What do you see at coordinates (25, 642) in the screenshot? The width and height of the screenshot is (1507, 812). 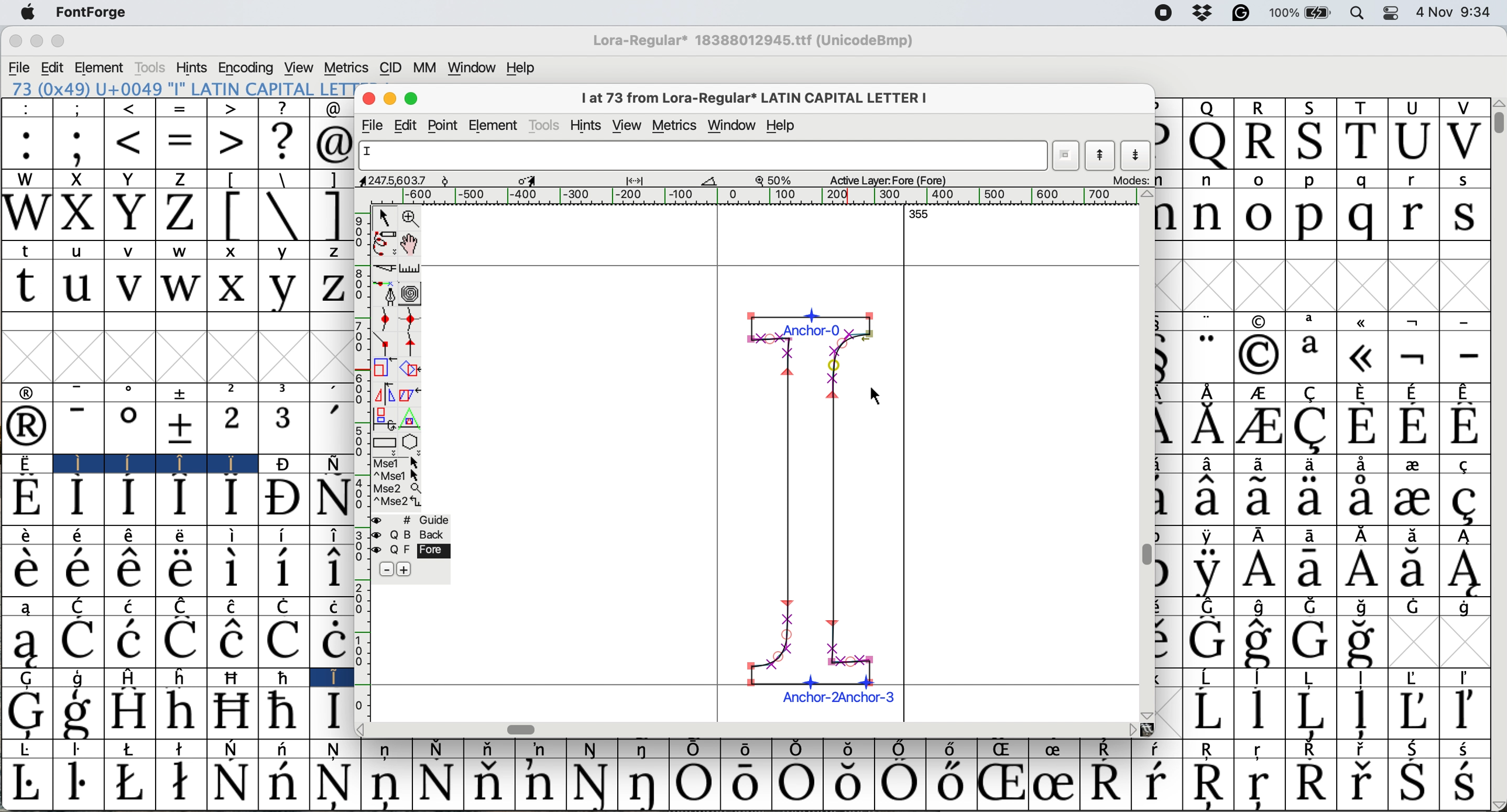 I see `Symbol` at bounding box center [25, 642].